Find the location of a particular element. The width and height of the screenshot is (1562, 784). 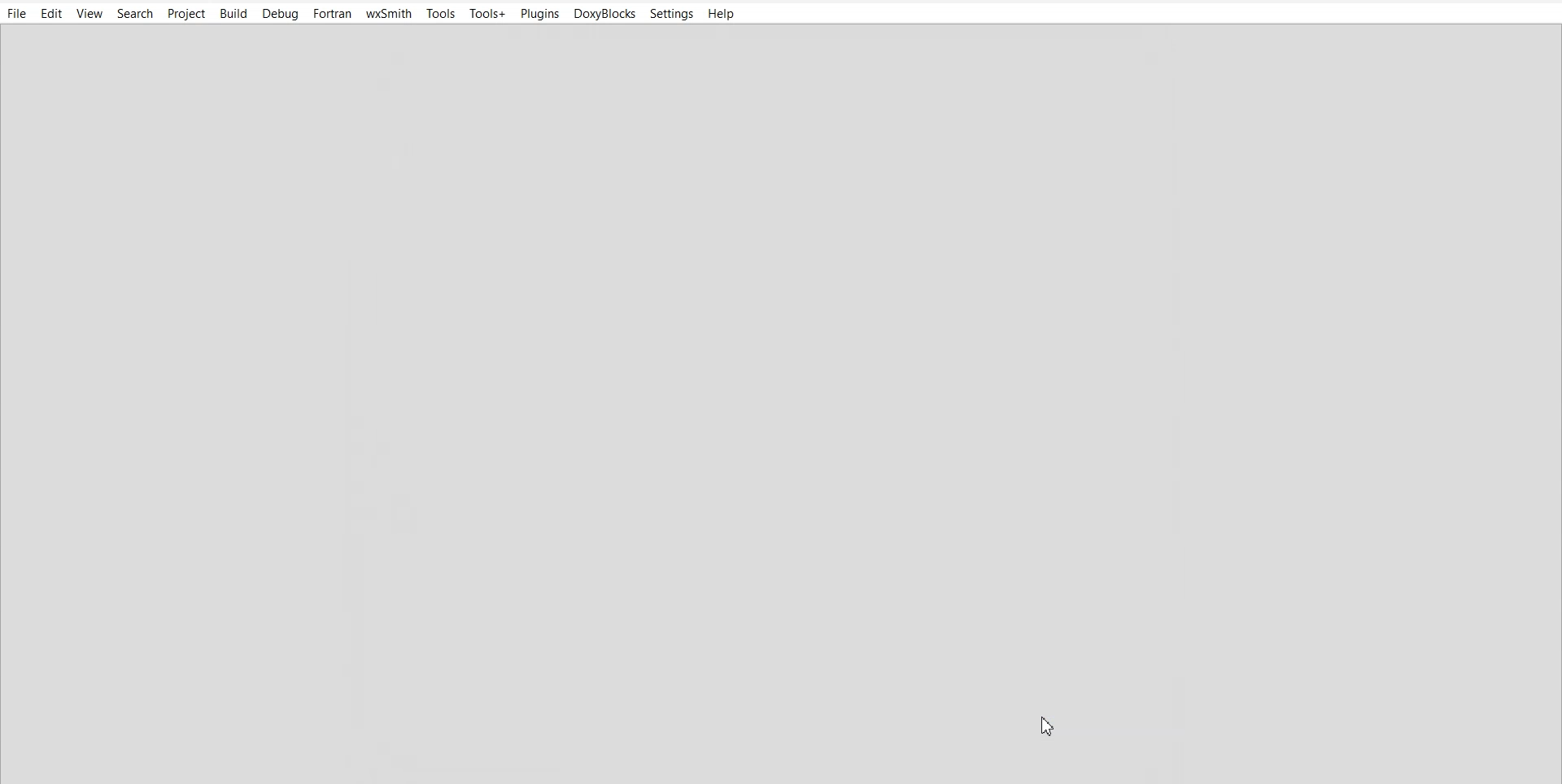

Project is located at coordinates (188, 13).